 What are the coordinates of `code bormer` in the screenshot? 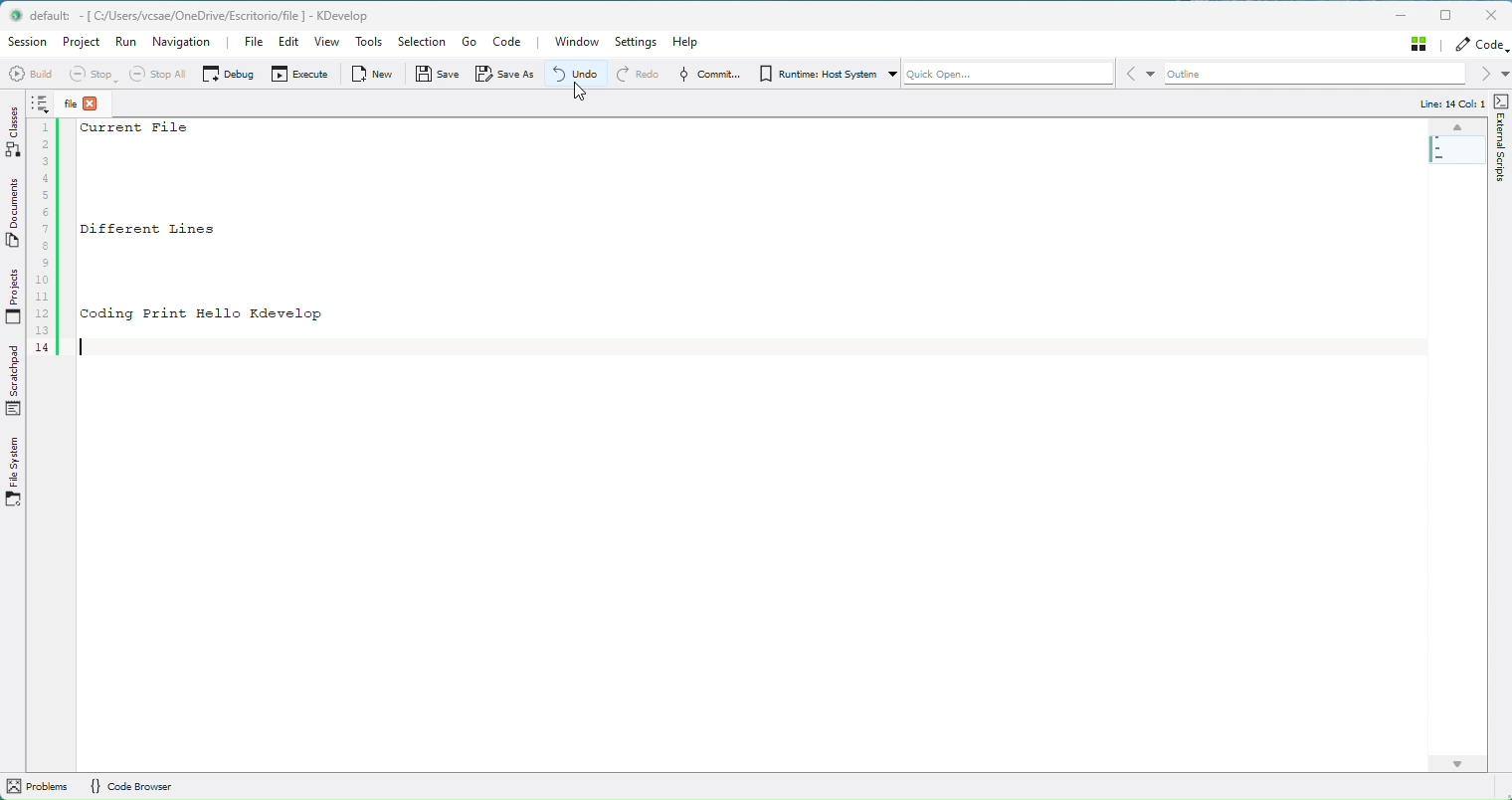 It's located at (143, 786).